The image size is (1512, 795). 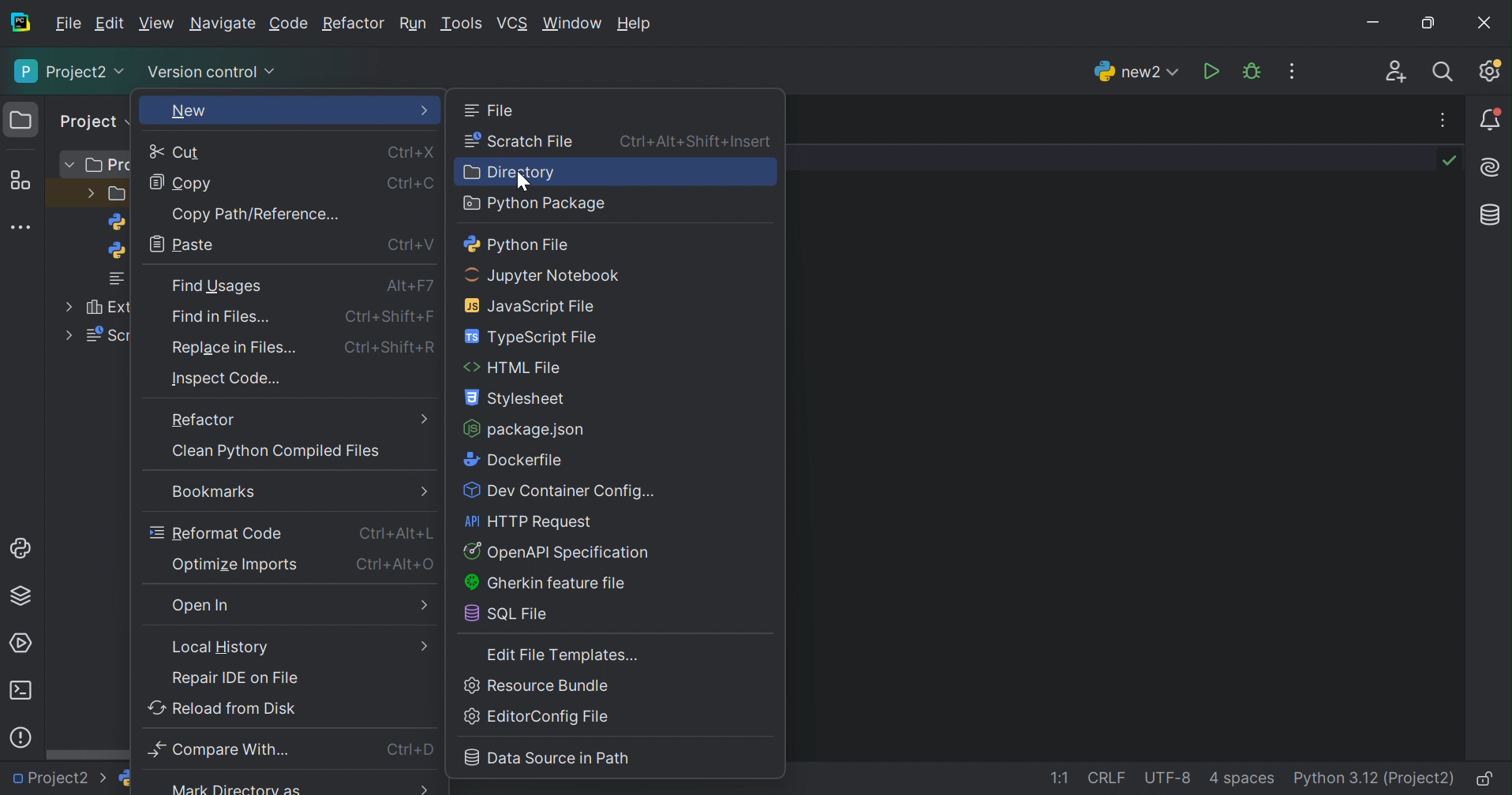 I want to click on folder design, so click(x=120, y=195).